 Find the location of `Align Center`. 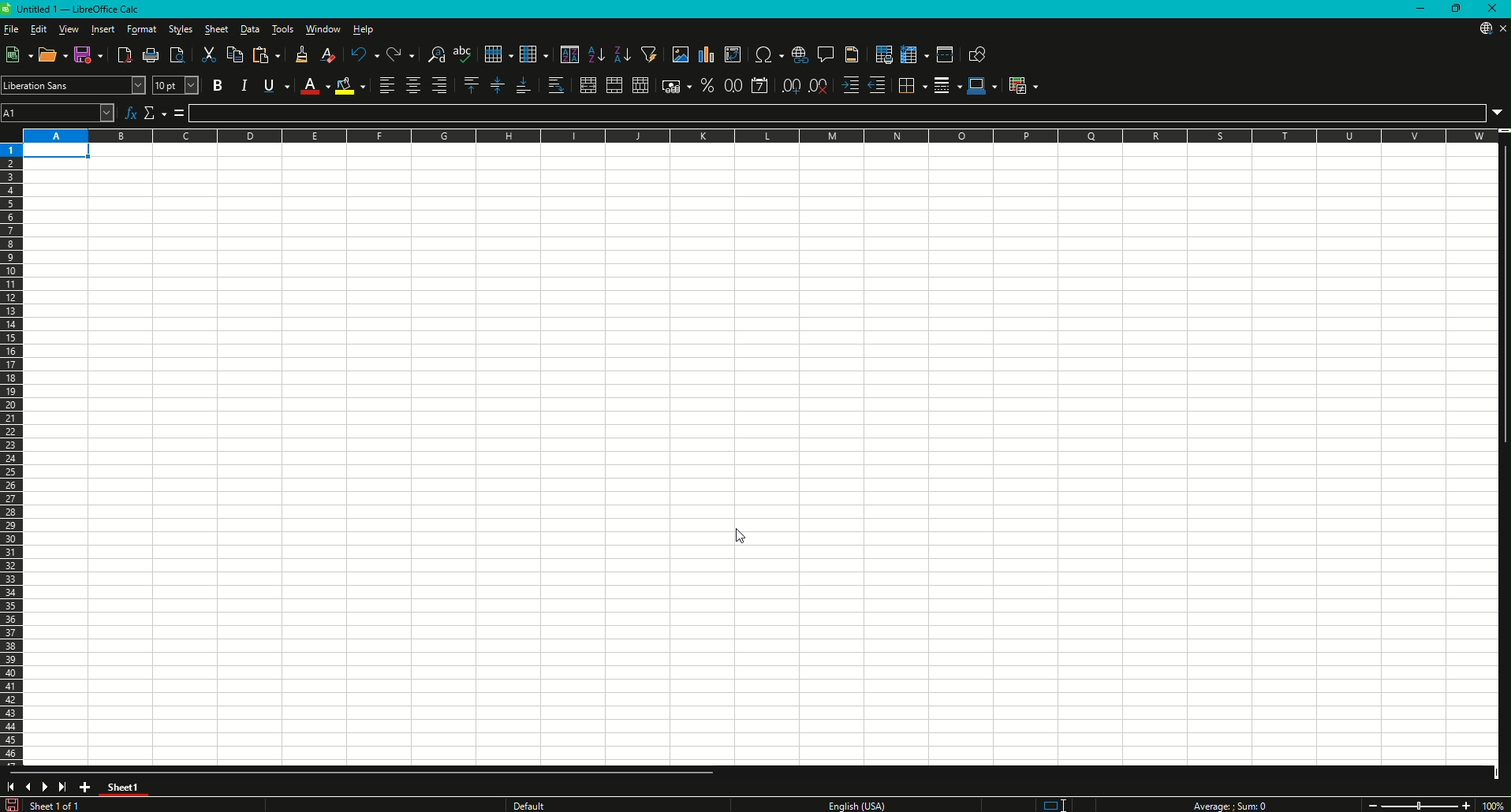

Align Center is located at coordinates (412, 85).